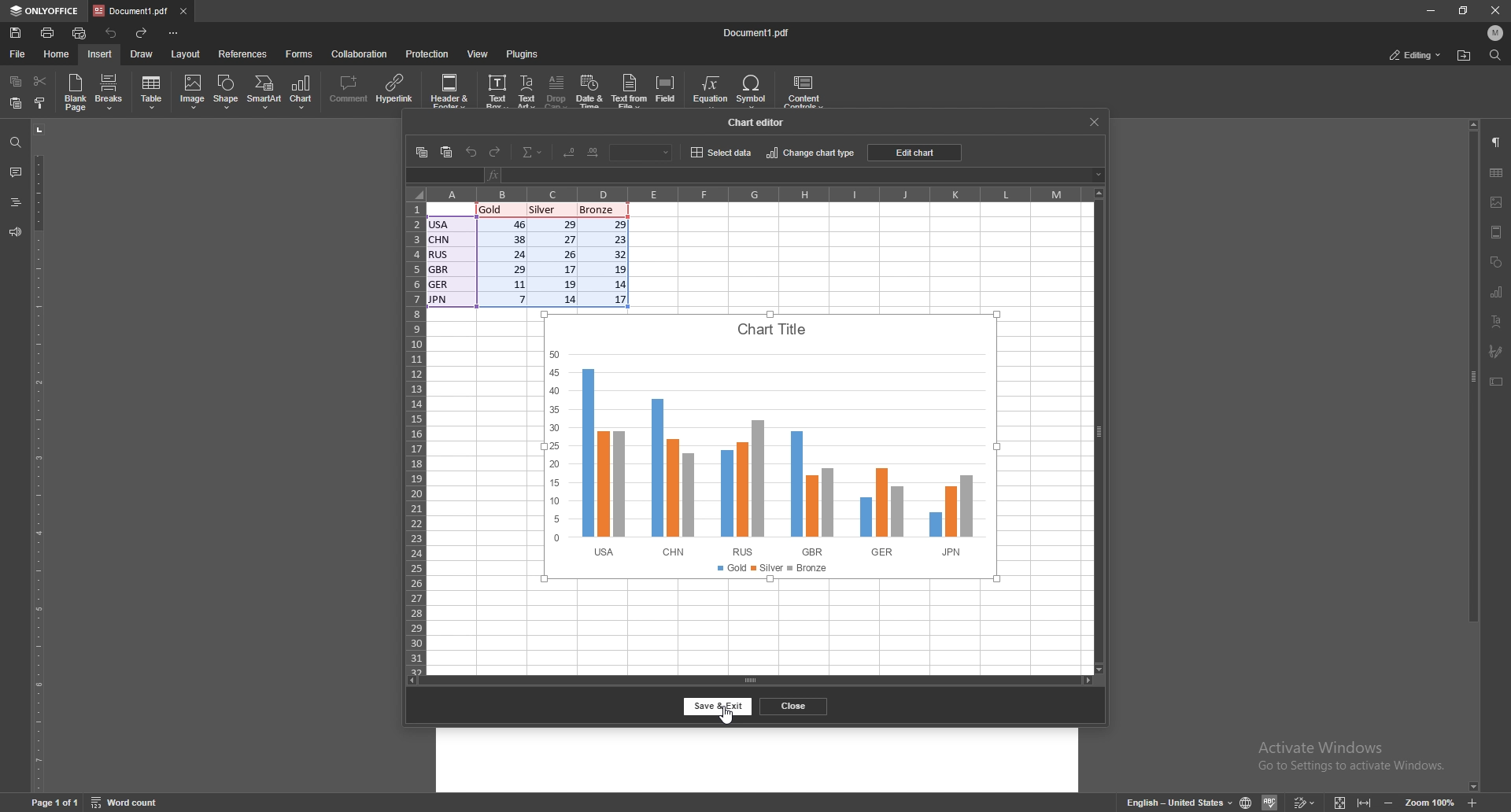 The image size is (1511, 812). What do you see at coordinates (1306, 803) in the screenshot?
I see `Edit` at bounding box center [1306, 803].